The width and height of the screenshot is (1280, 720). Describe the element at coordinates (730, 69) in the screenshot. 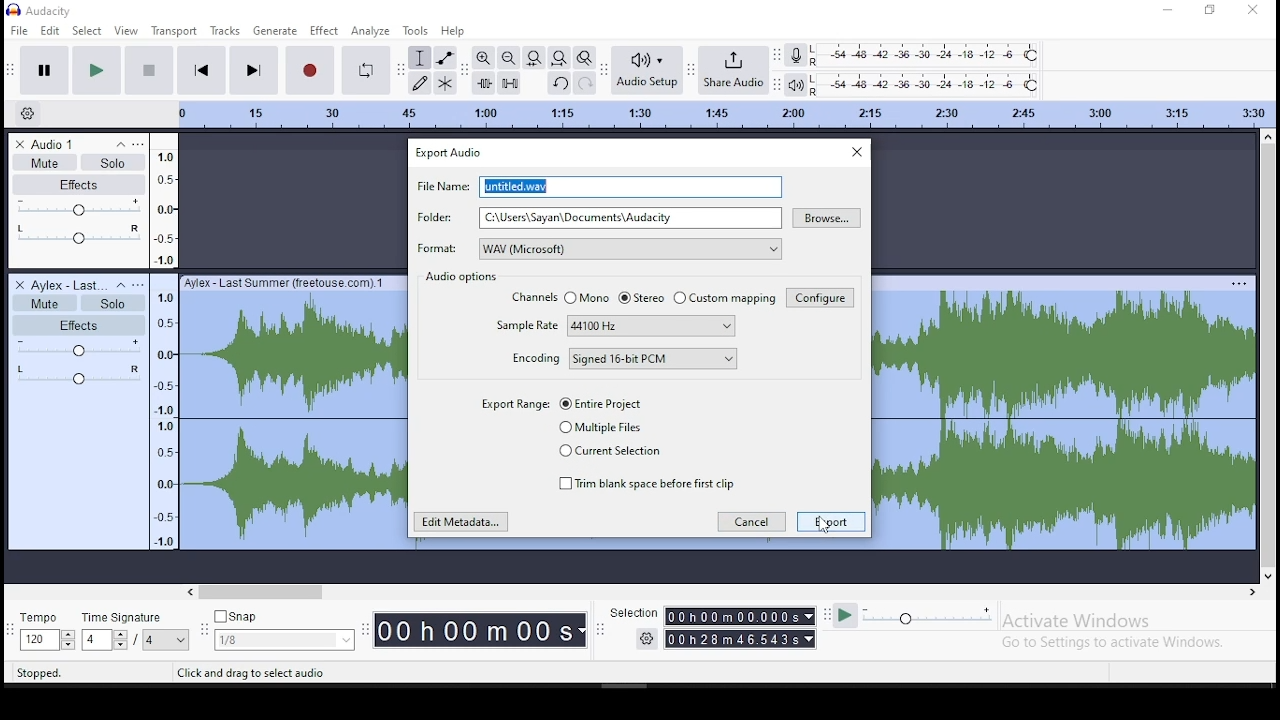

I see `share audio` at that location.